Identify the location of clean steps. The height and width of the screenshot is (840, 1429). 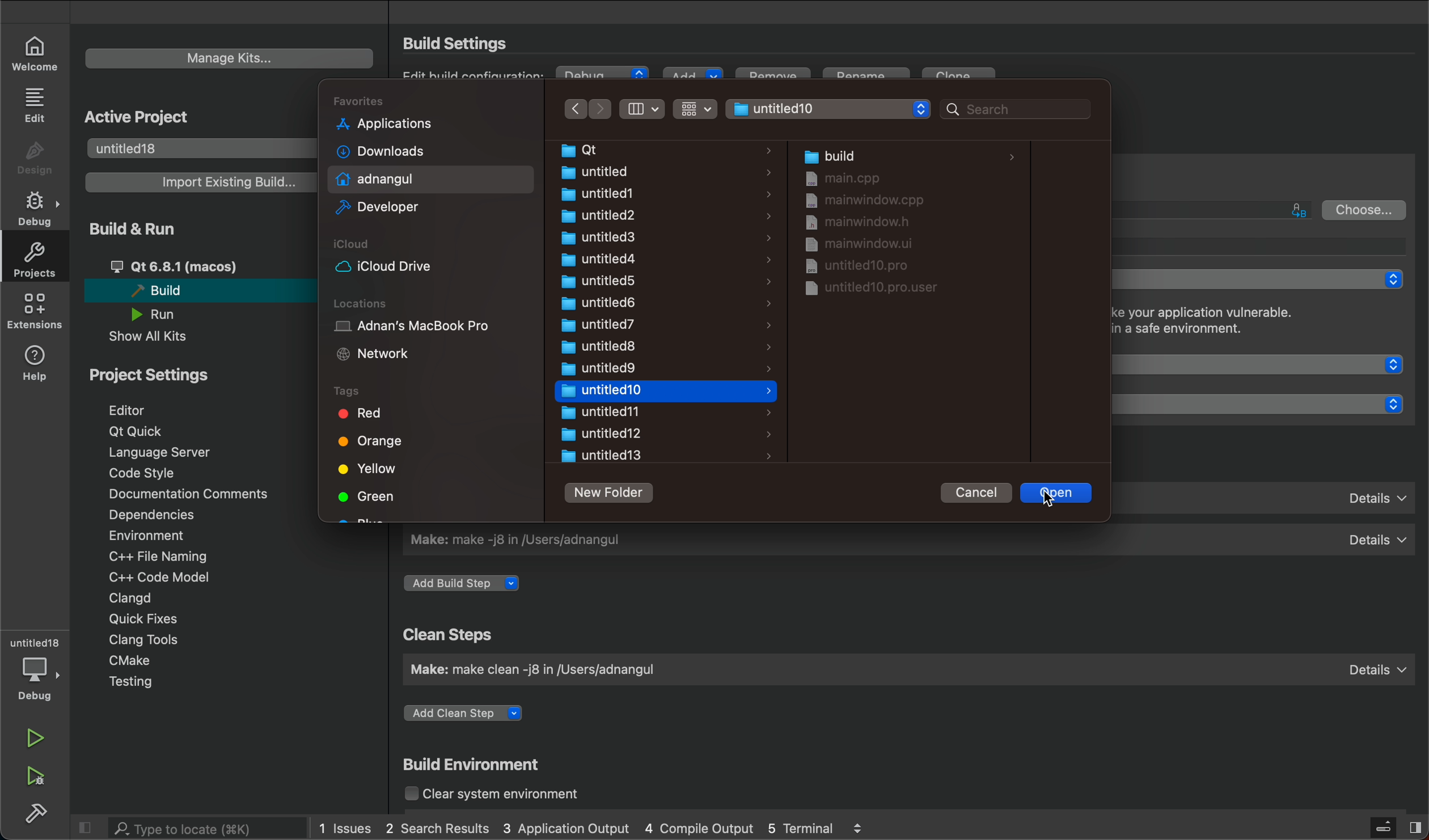
(445, 633).